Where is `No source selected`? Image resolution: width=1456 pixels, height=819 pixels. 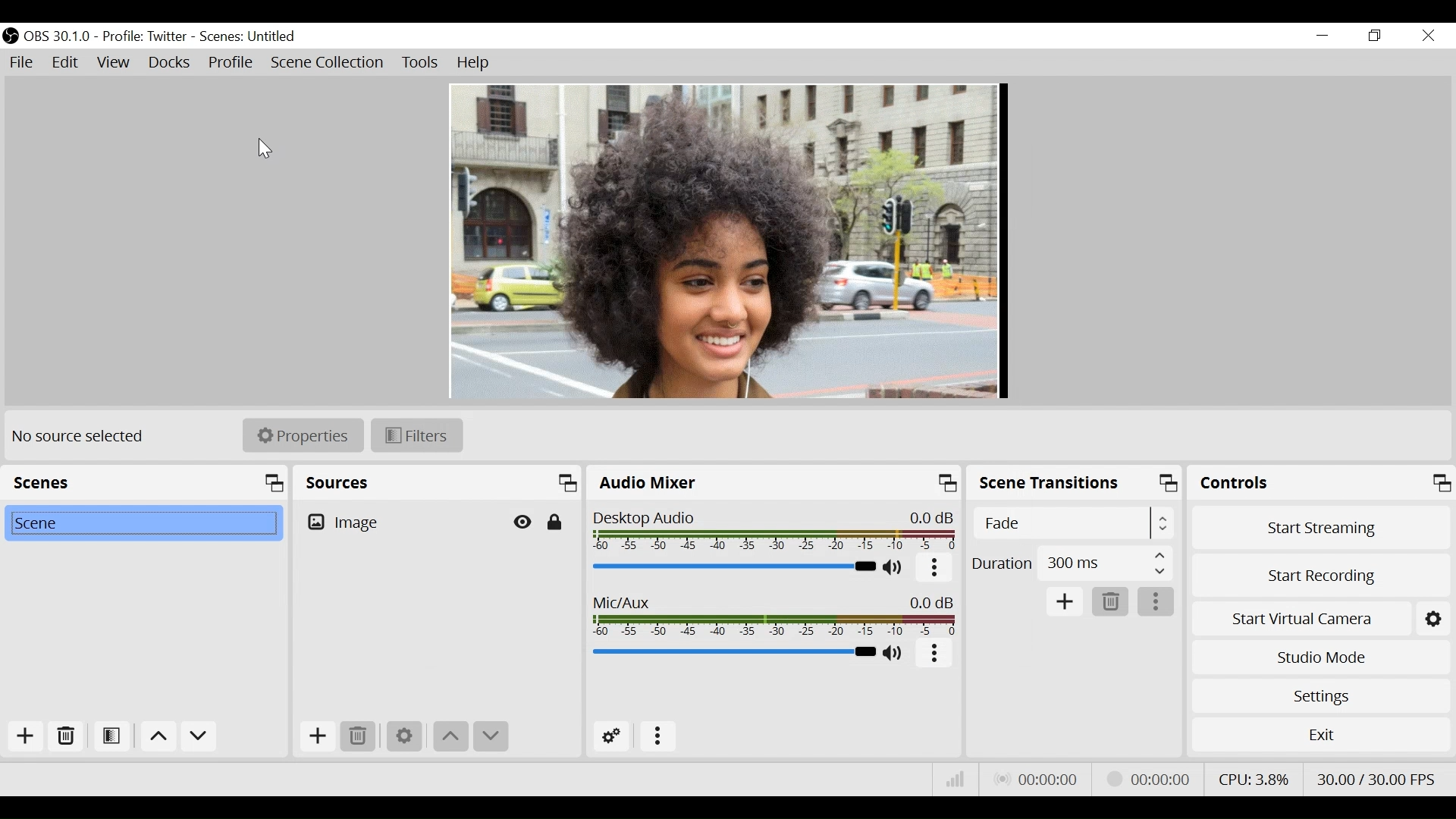 No source selected is located at coordinates (83, 437).